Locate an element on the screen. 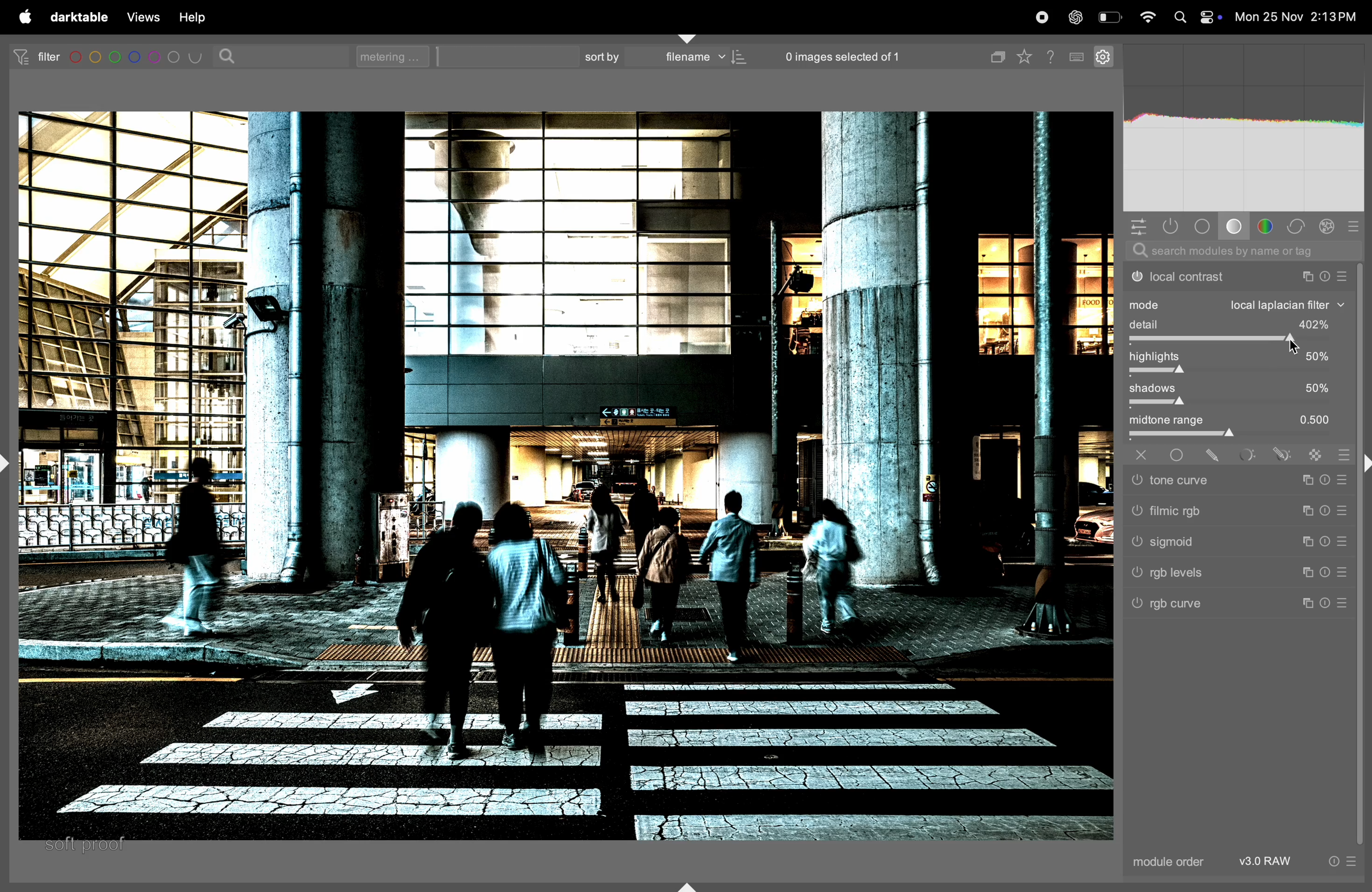 The height and width of the screenshot is (892, 1372). chatgpt is located at coordinates (1075, 16).